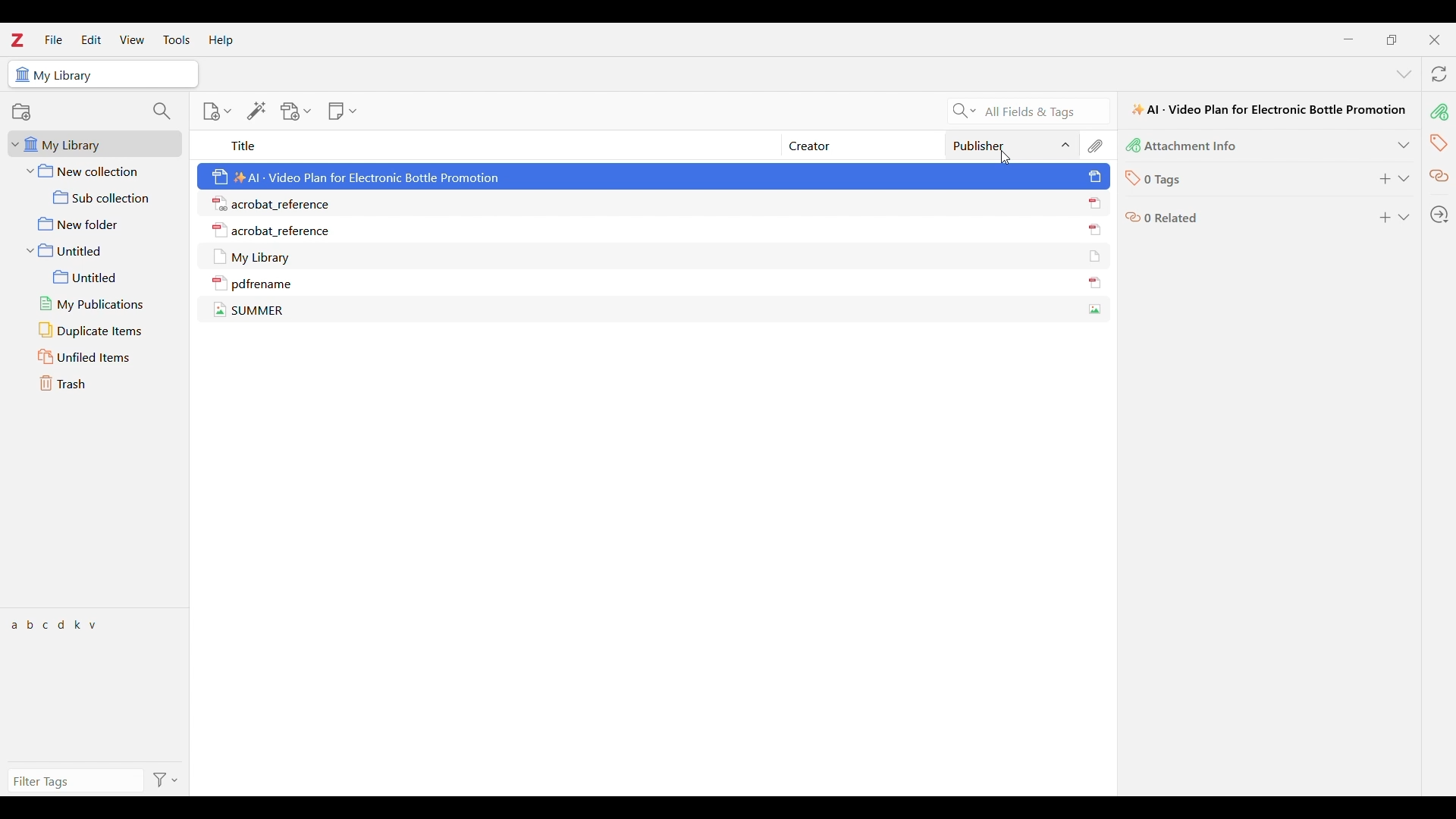 Image resolution: width=1456 pixels, height=819 pixels. I want to click on icon, so click(1096, 177).